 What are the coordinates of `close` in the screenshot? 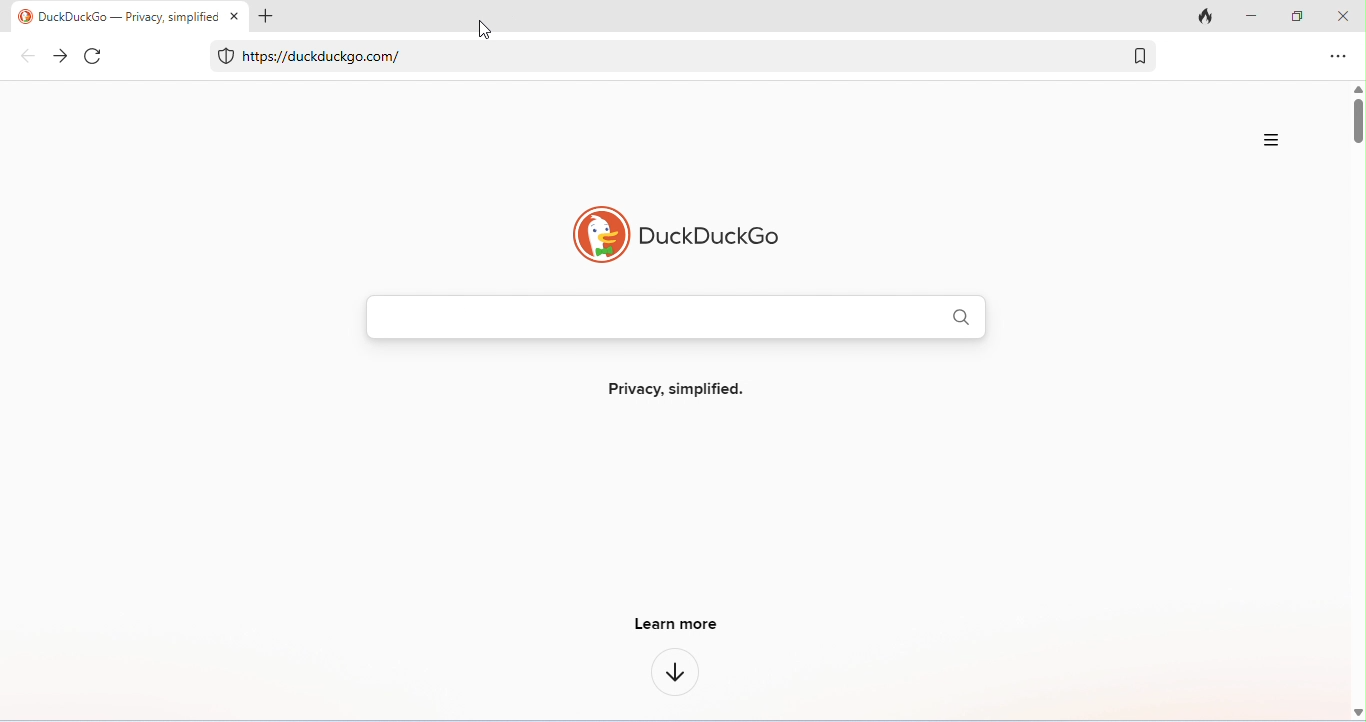 It's located at (236, 15).